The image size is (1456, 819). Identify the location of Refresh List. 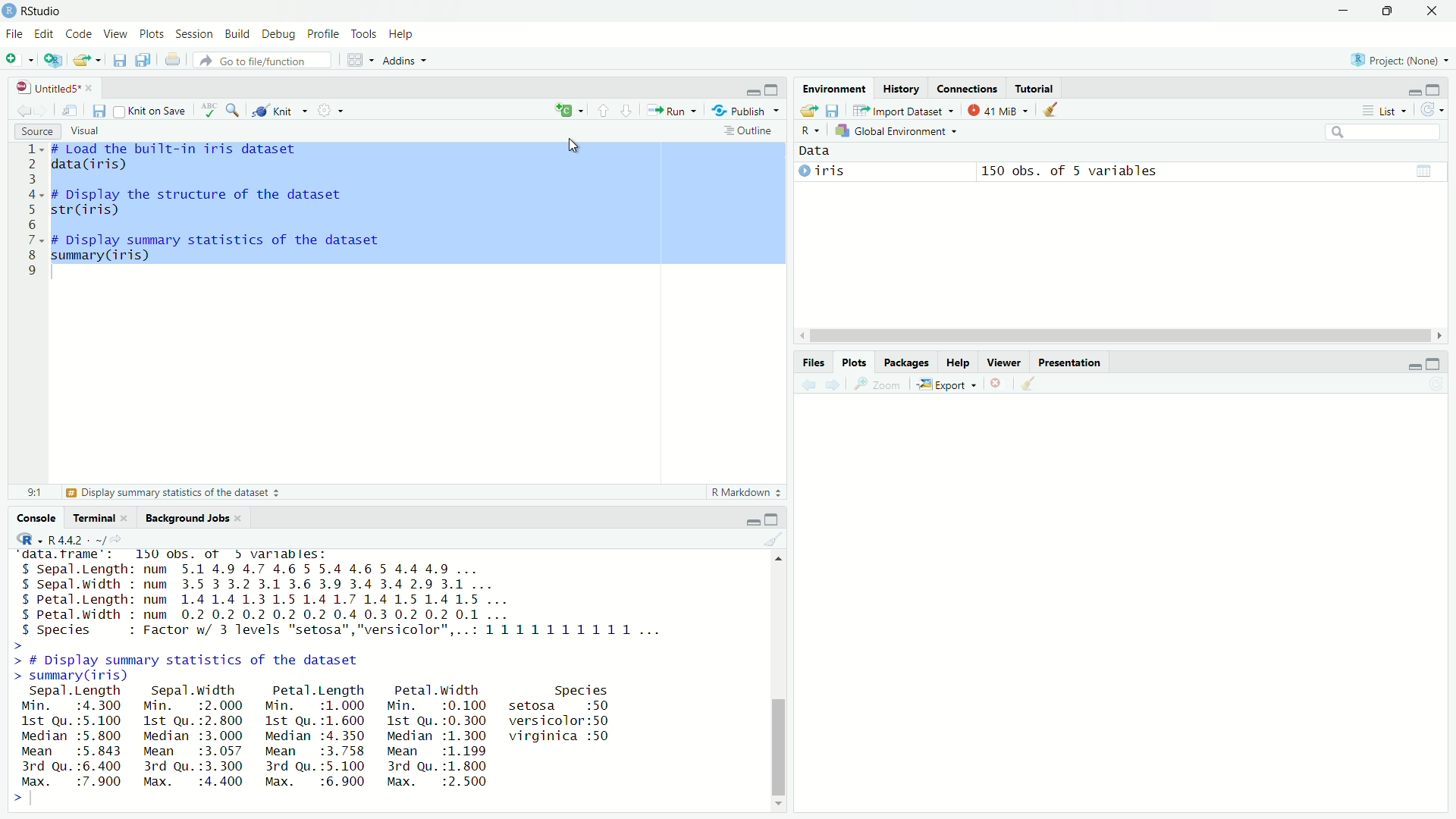
(1436, 384).